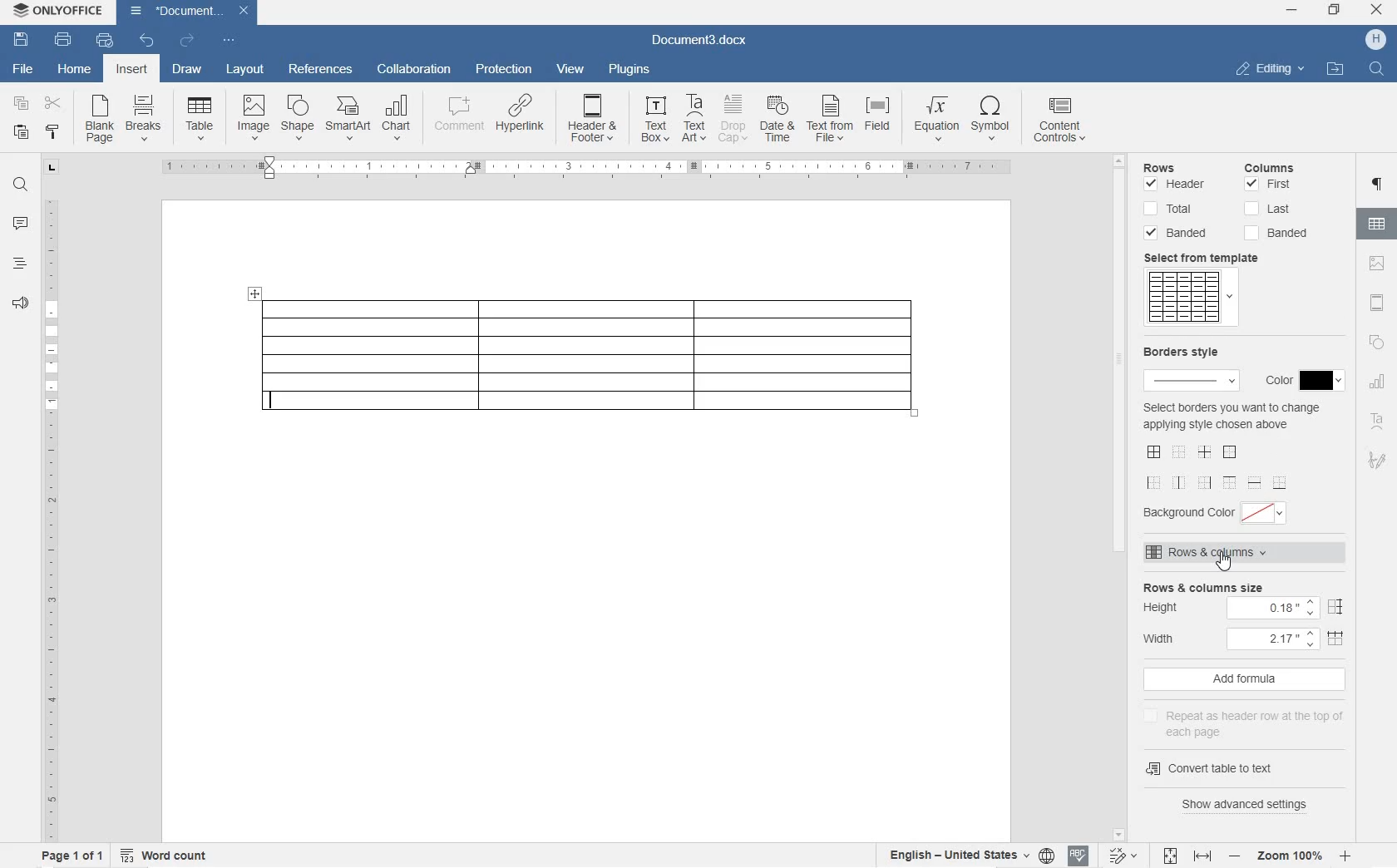 The height and width of the screenshot is (868, 1397). Describe the element at coordinates (936, 121) in the screenshot. I see `EQUATION` at that location.